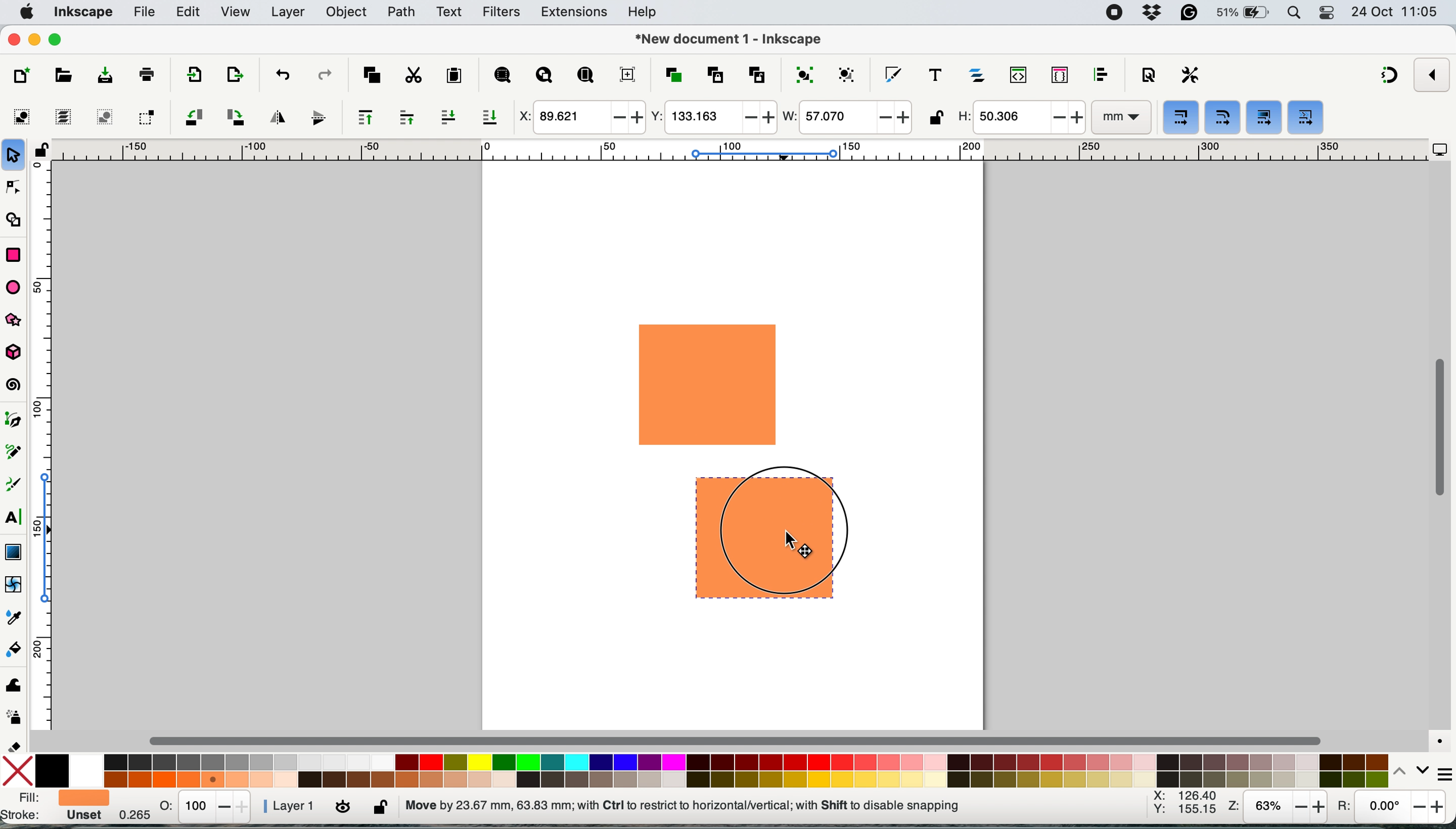  What do you see at coordinates (728, 40) in the screenshot?
I see `document name` at bounding box center [728, 40].